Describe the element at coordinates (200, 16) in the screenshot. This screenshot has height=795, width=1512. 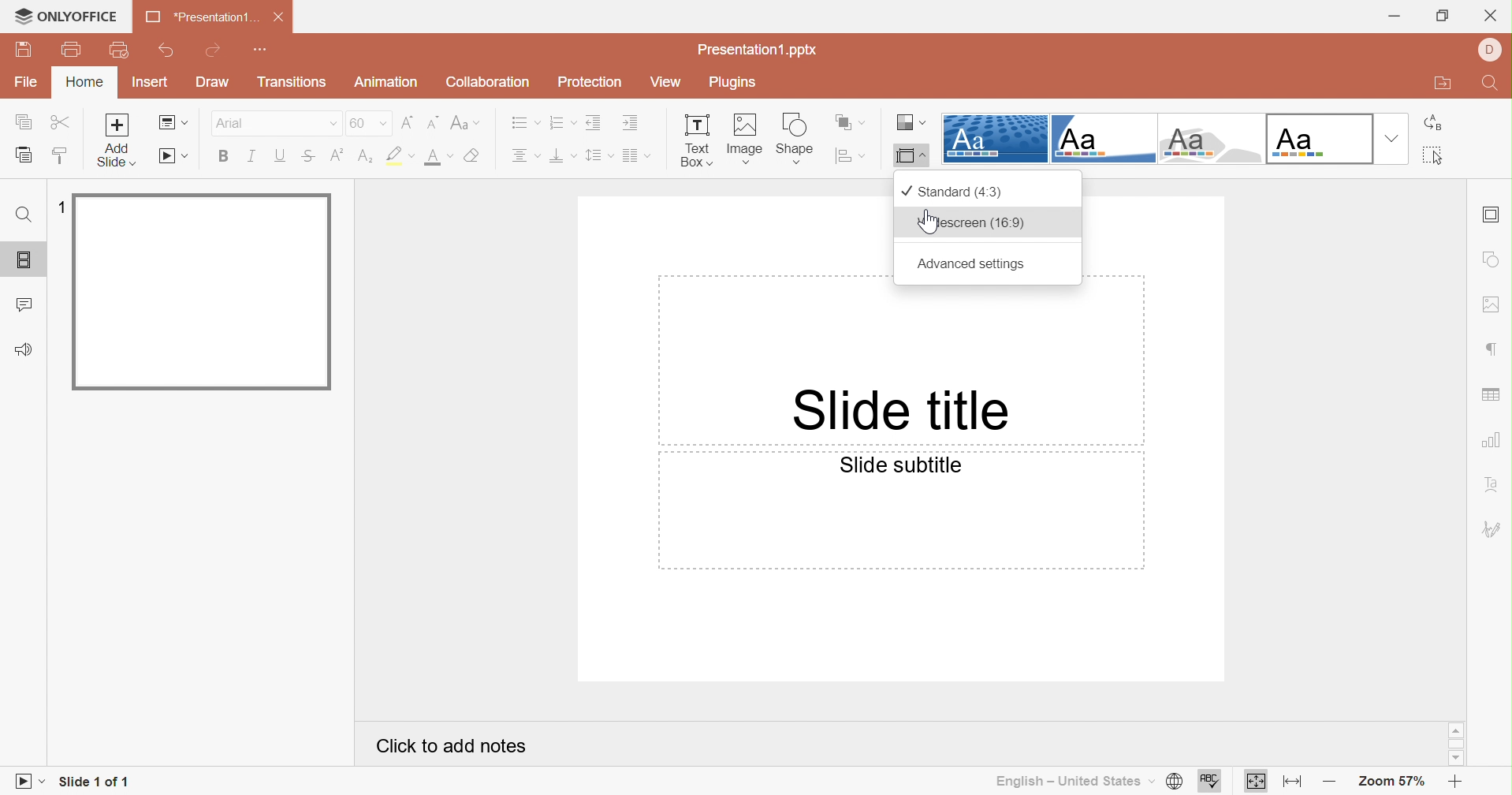
I see `*Presentation1...` at that location.